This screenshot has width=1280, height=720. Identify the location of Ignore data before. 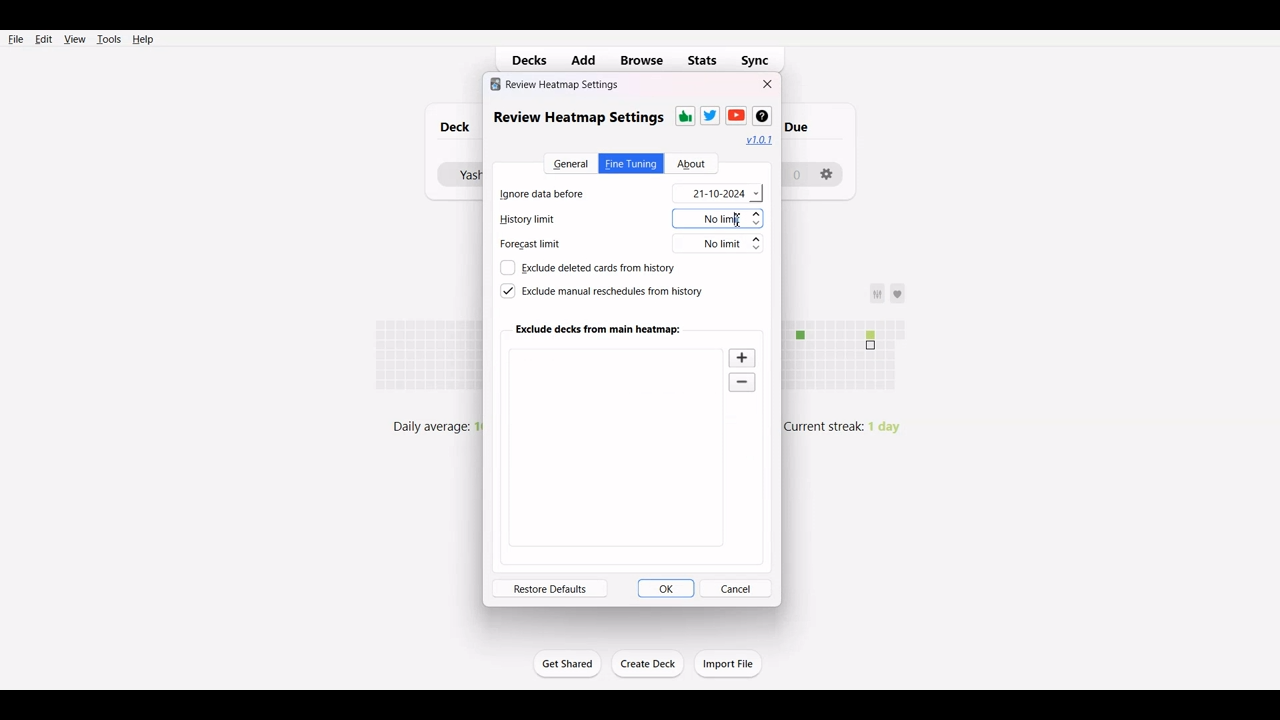
(557, 192).